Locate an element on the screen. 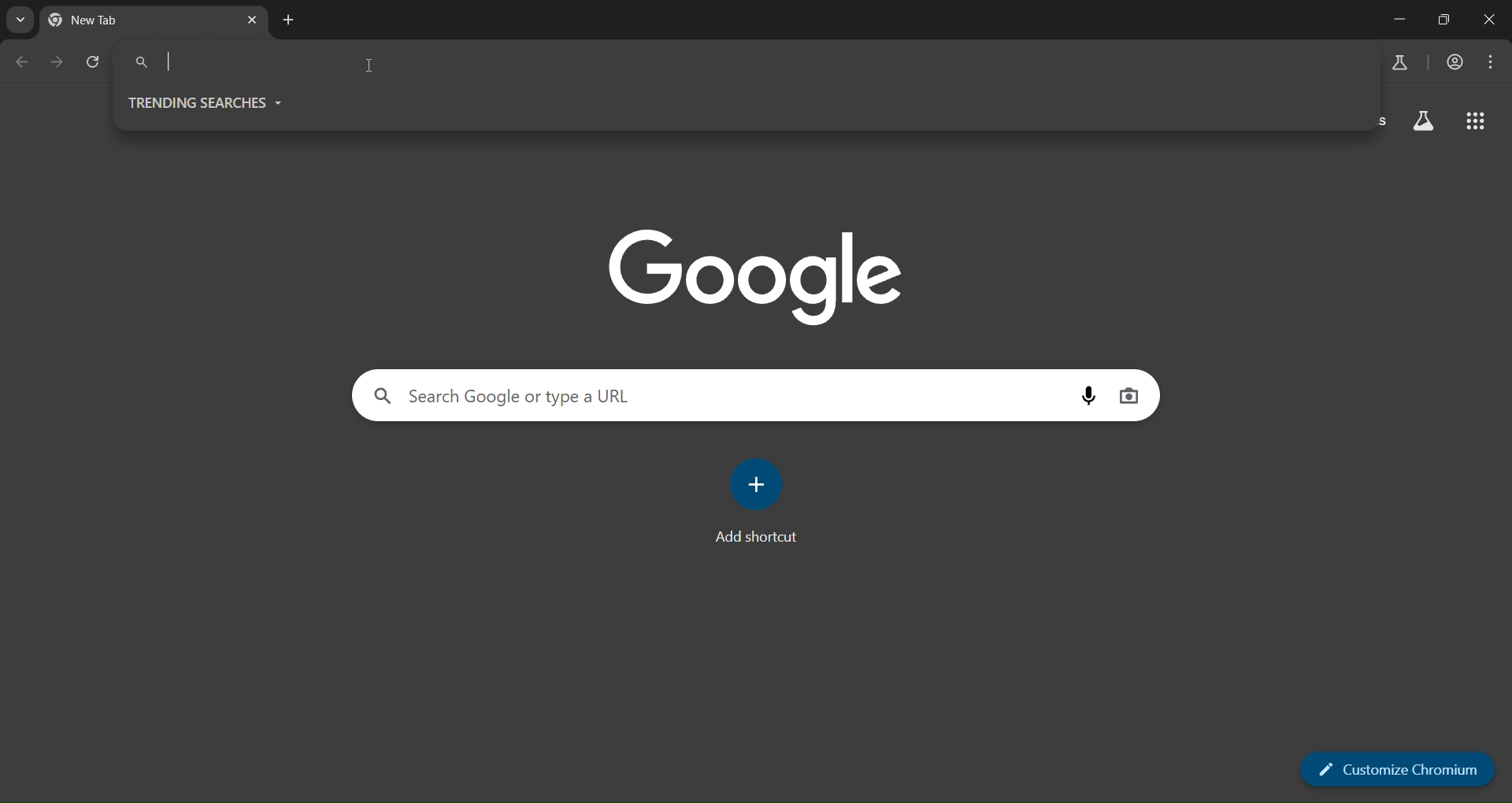 The width and height of the screenshot is (1512, 803). google is located at coordinates (764, 276).